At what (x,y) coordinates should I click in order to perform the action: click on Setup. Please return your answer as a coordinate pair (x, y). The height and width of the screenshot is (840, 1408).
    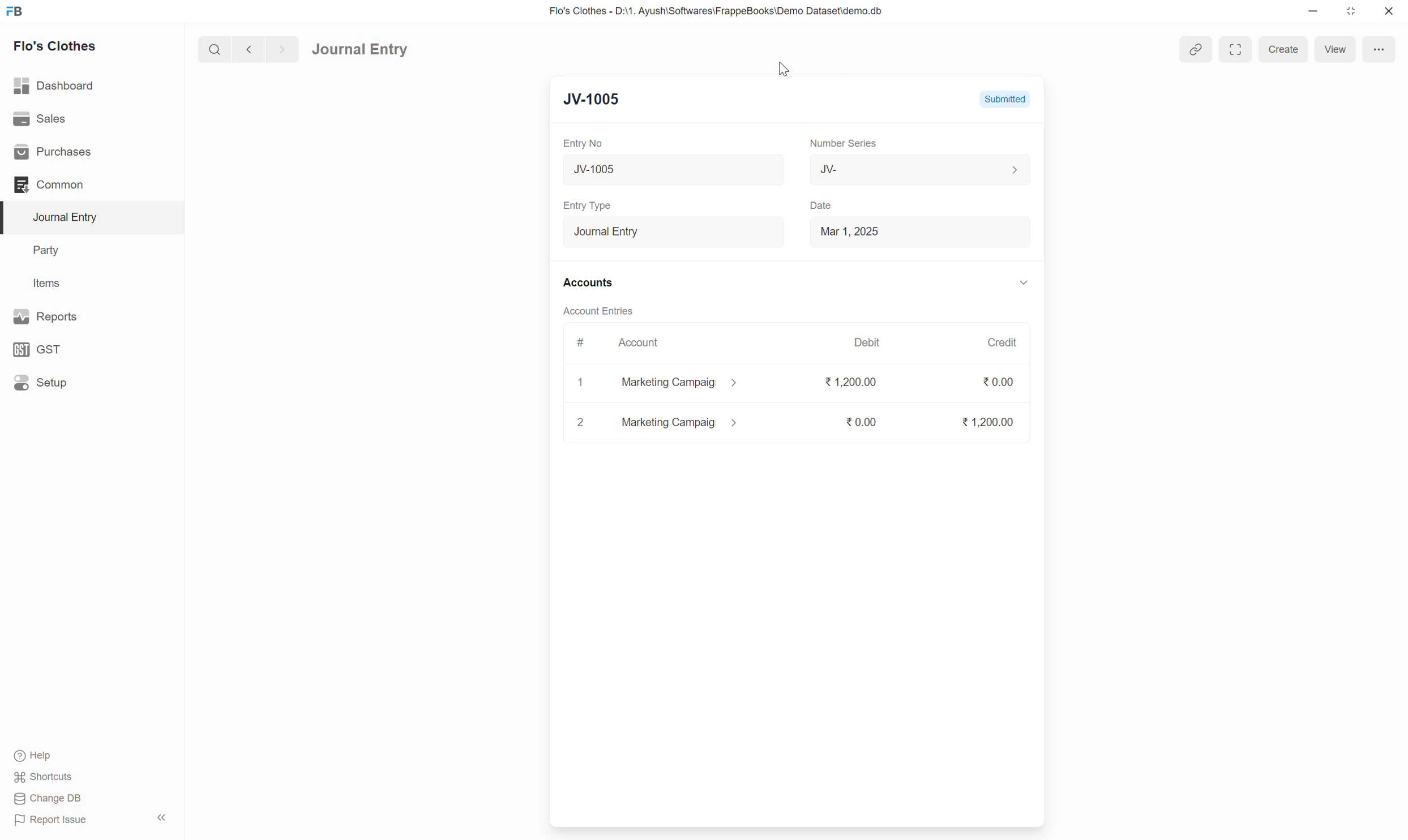
    Looking at the image, I should click on (41, 382).